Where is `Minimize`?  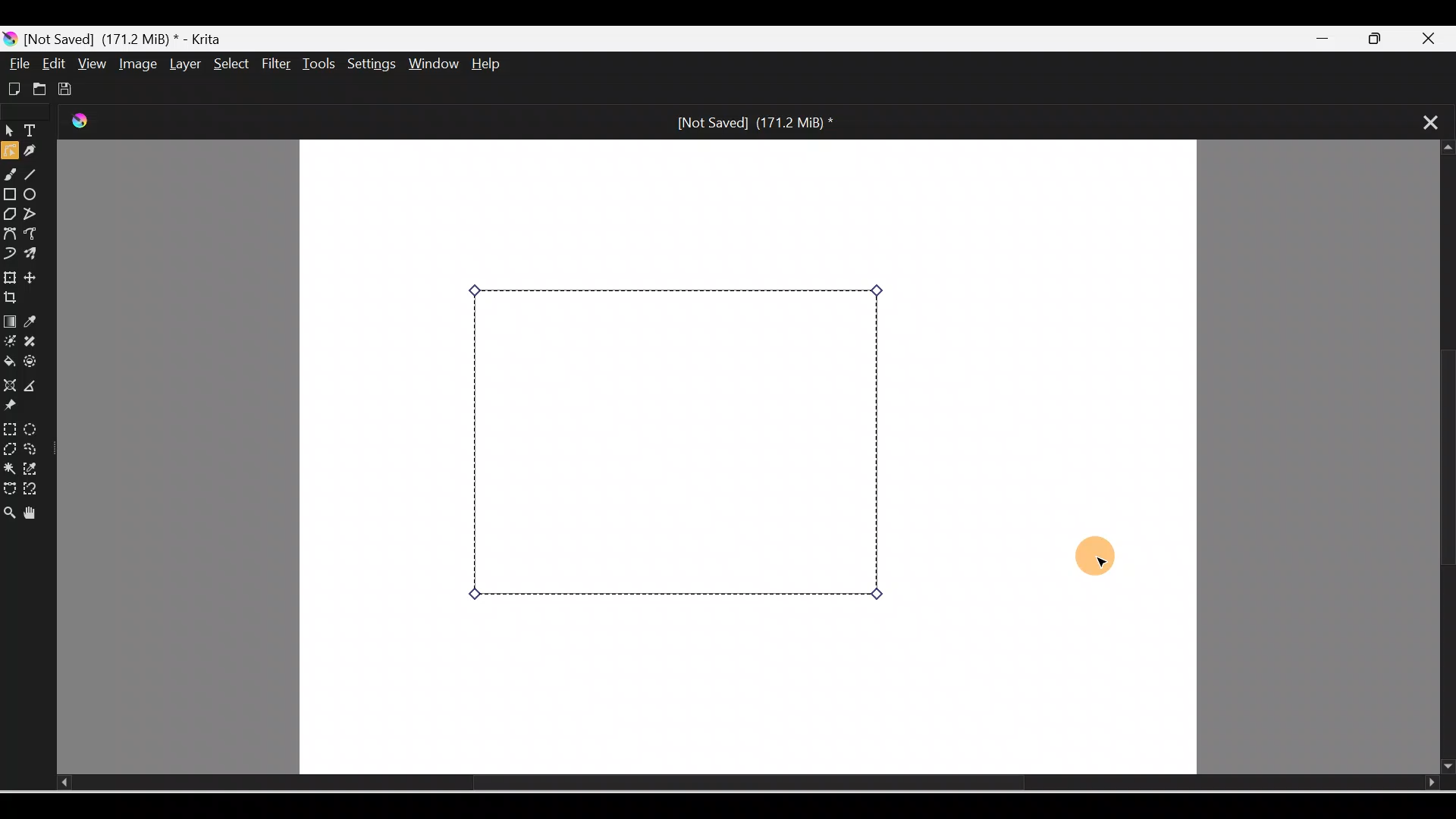
Minimize is located at coordinates (1326, 39).